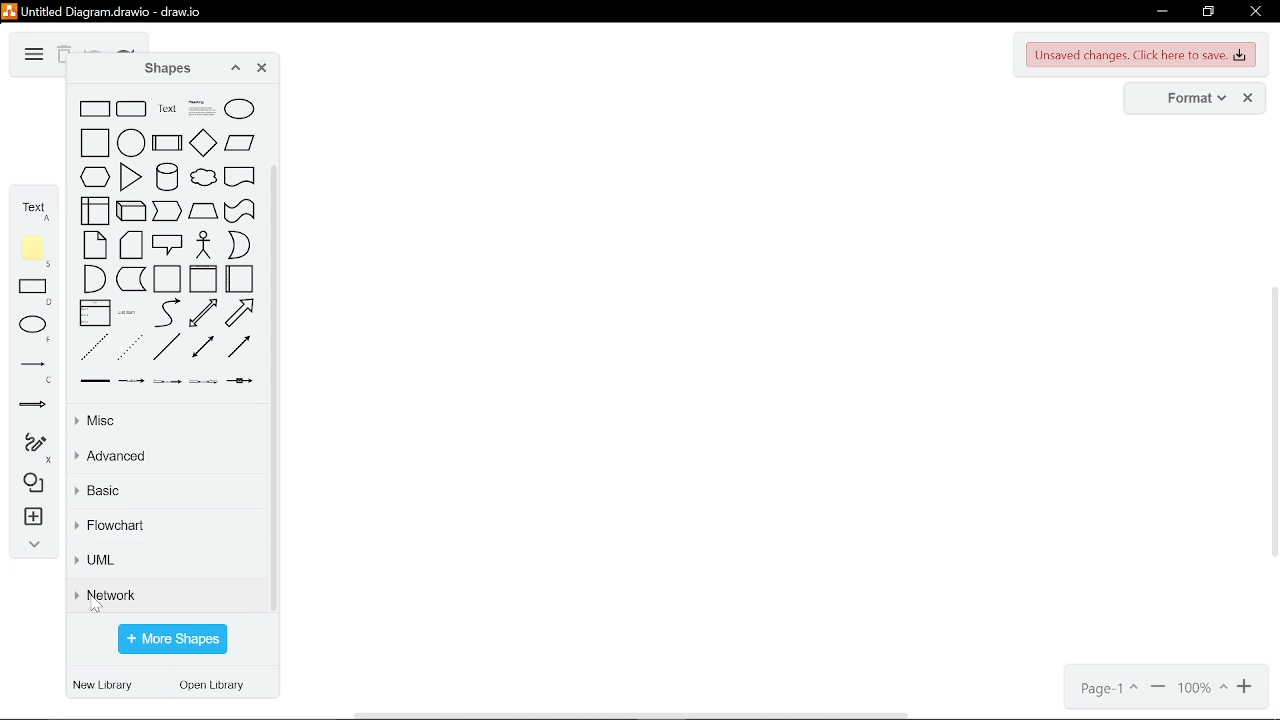 This screenshot has height=720, width=1280. Describe the element at coordinates (34, 208) in the screenshot. I see `text` at that location.